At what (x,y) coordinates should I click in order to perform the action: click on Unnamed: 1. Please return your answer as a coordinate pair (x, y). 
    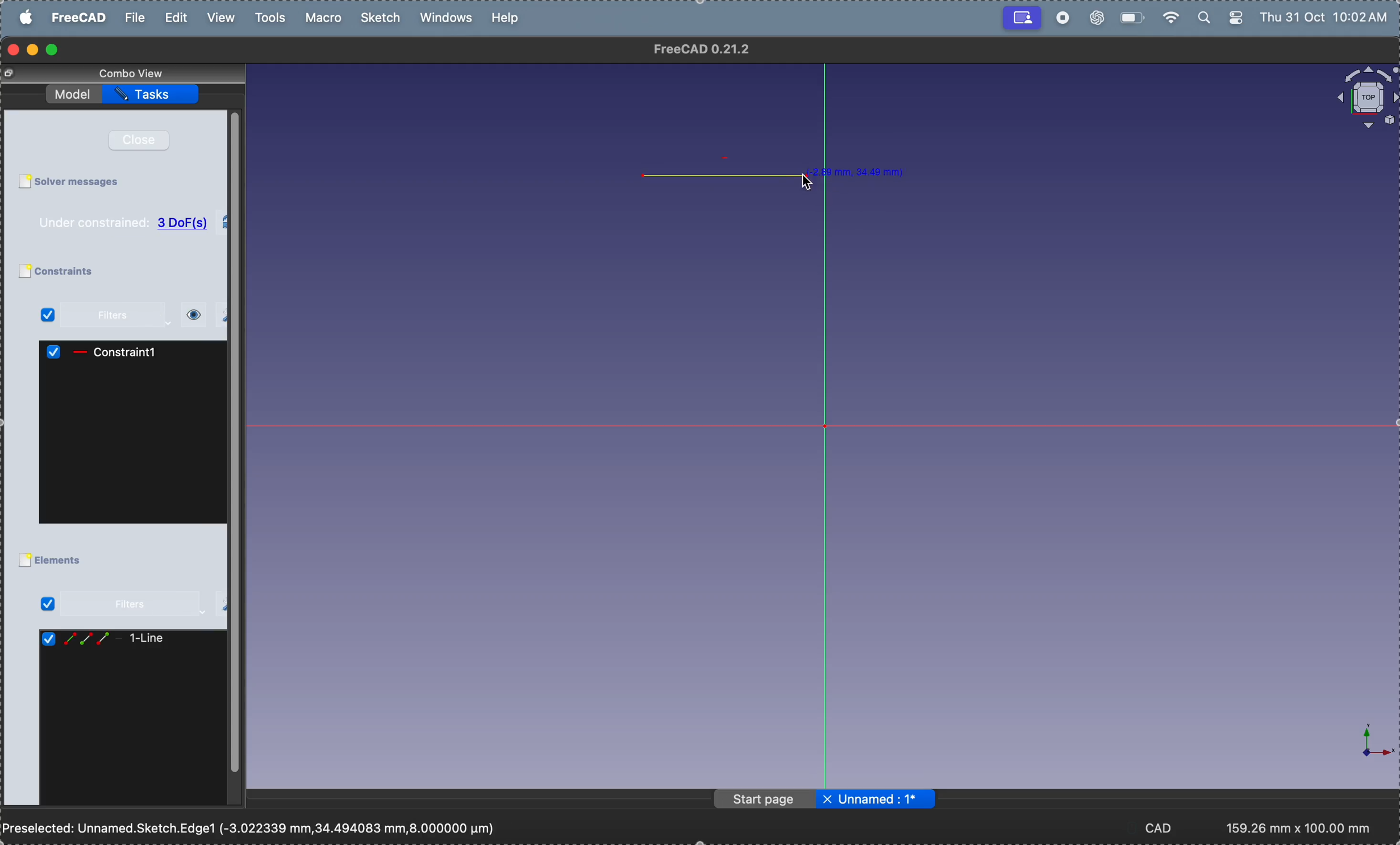
    Looking at the image, I should click on (887, 799).